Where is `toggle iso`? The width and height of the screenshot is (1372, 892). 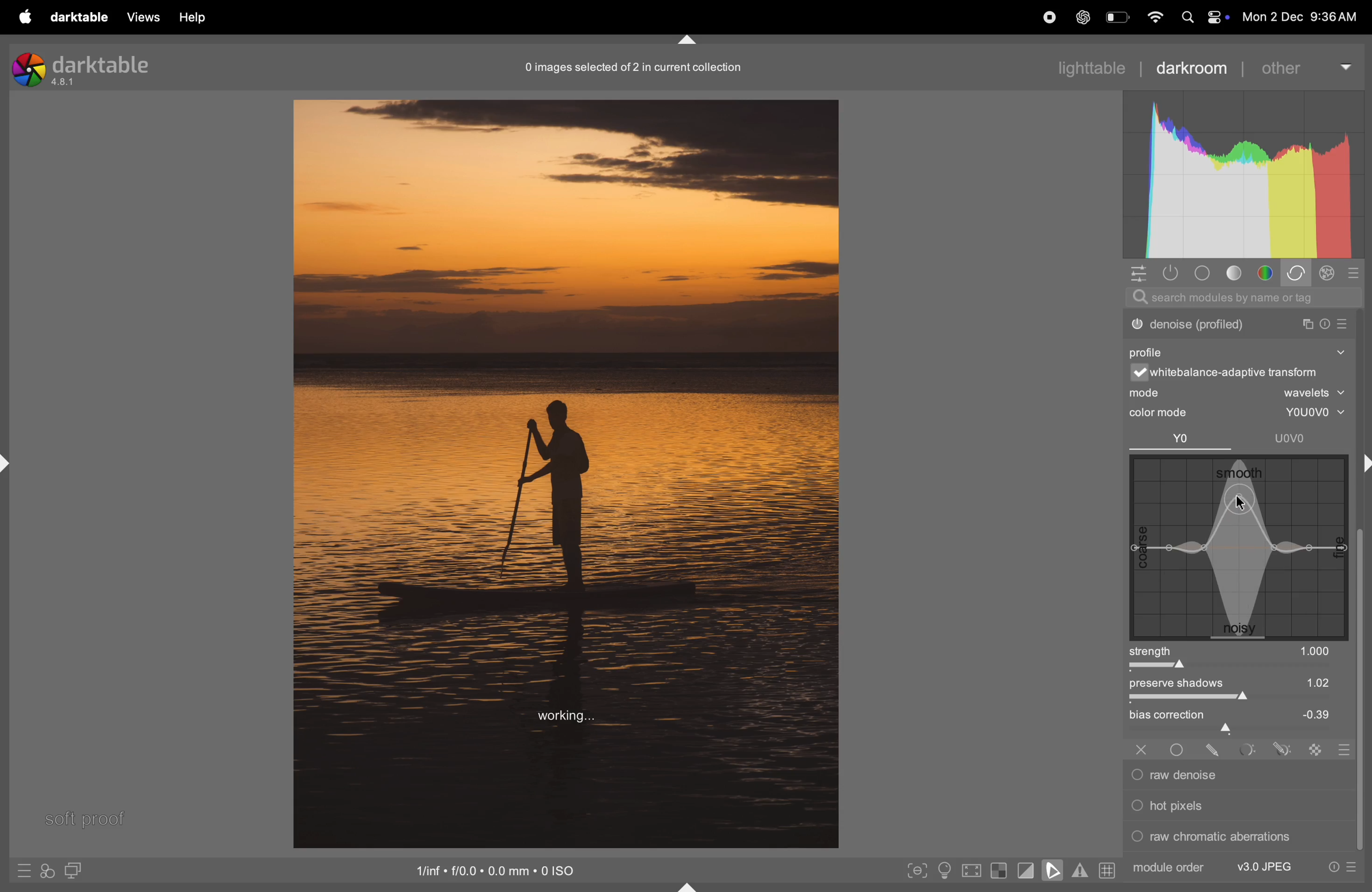
toggle iso is located at coordinates (943, 870).